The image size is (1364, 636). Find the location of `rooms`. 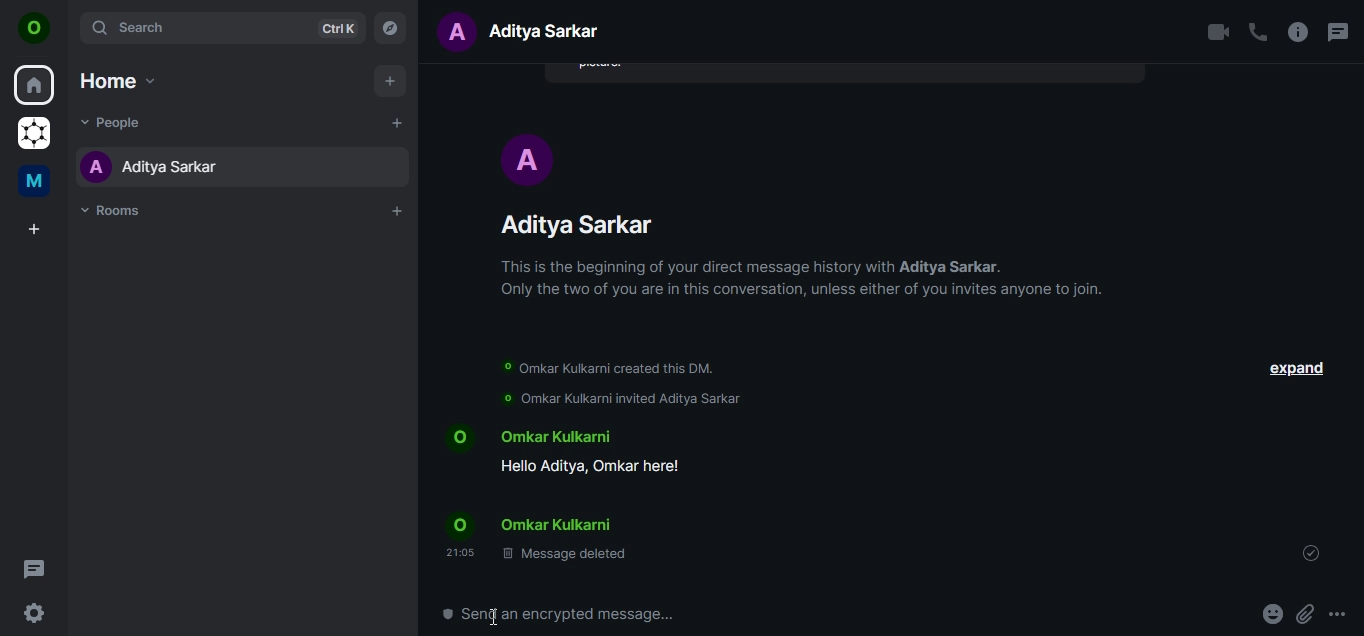

rooms is located at coordinates (114, 213).